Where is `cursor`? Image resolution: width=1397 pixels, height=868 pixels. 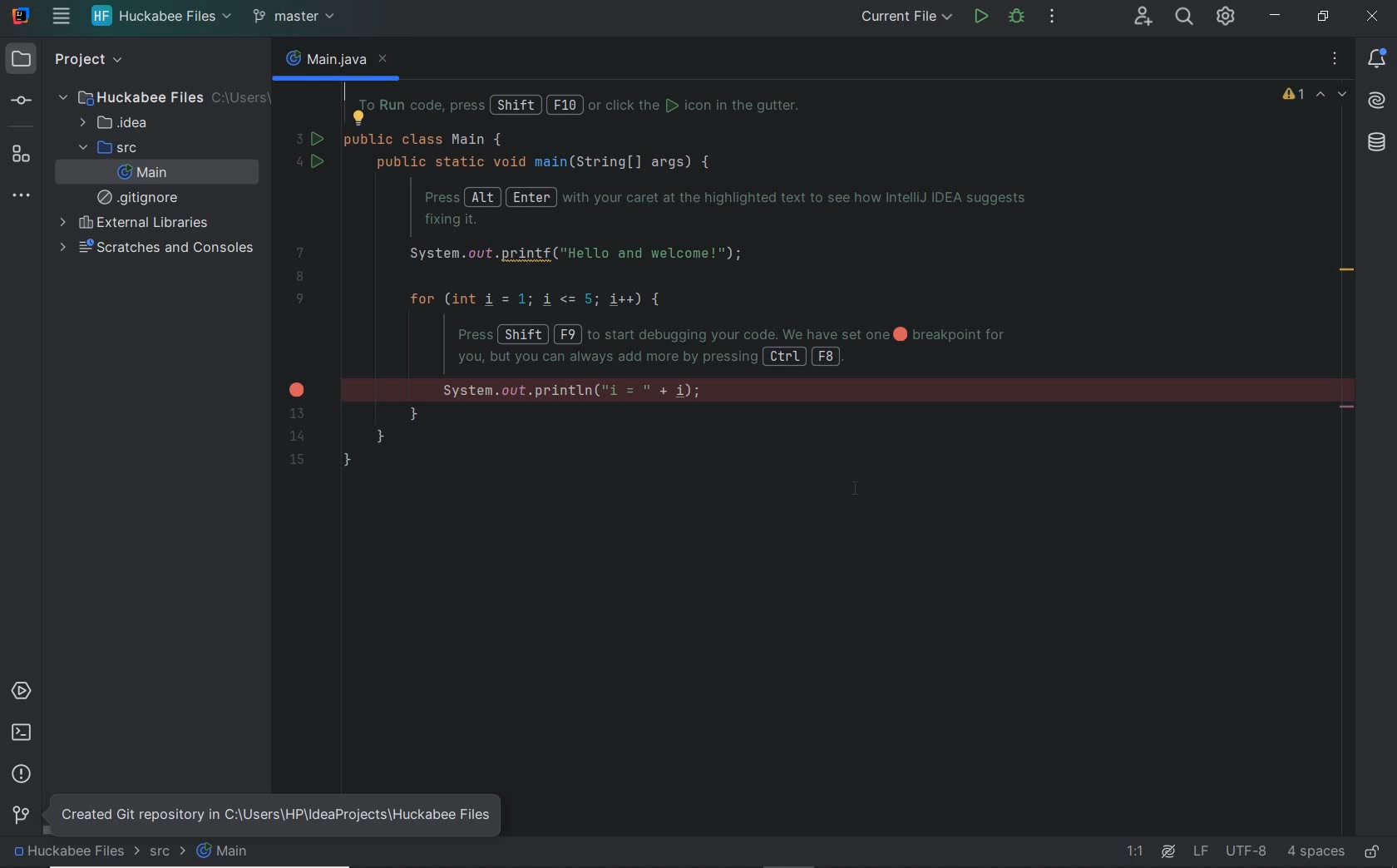 cursor is located at coordinates (860, 488).